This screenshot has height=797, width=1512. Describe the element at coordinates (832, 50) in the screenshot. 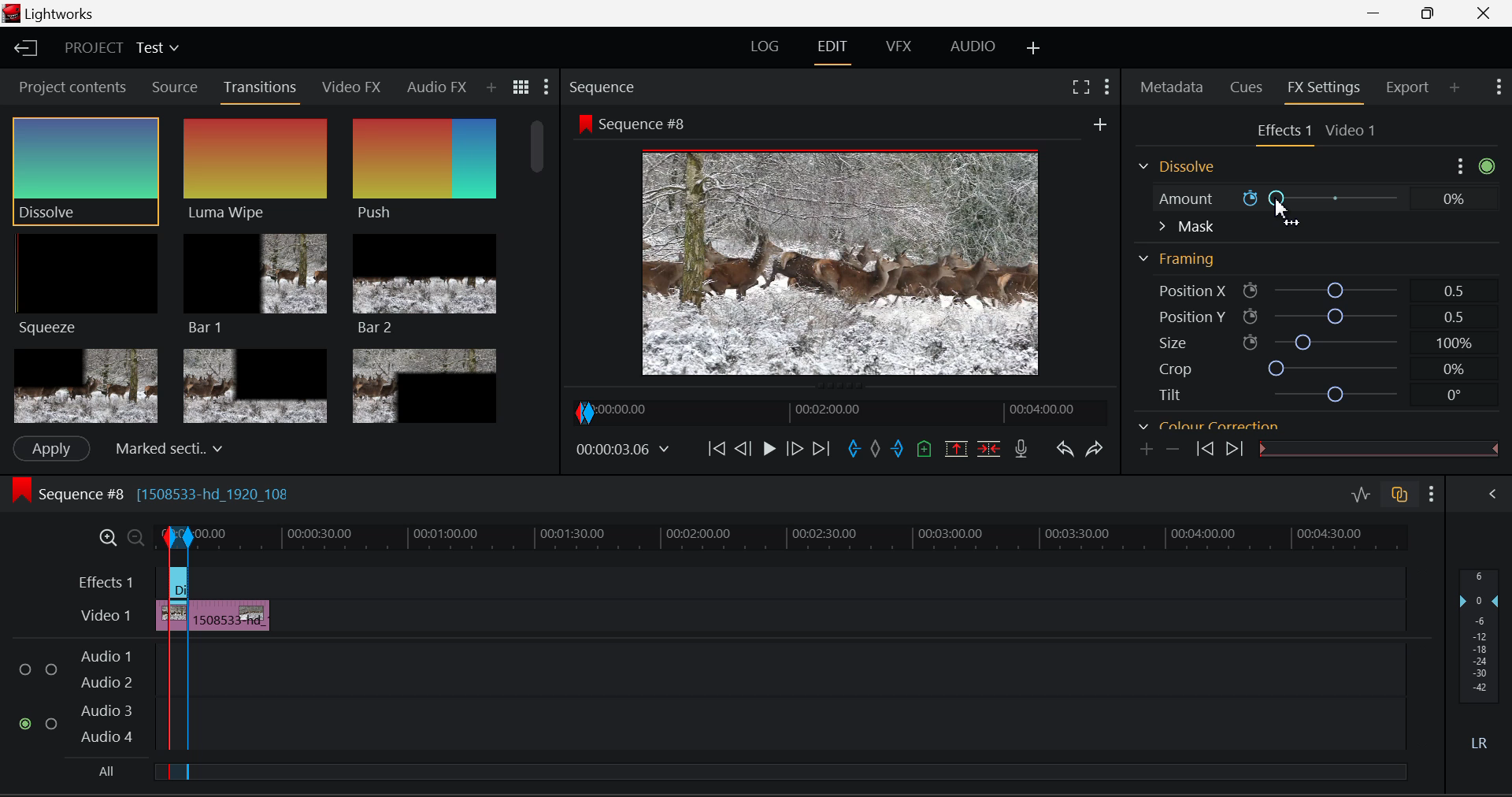

I see `EDIT Layout Open` at that location.